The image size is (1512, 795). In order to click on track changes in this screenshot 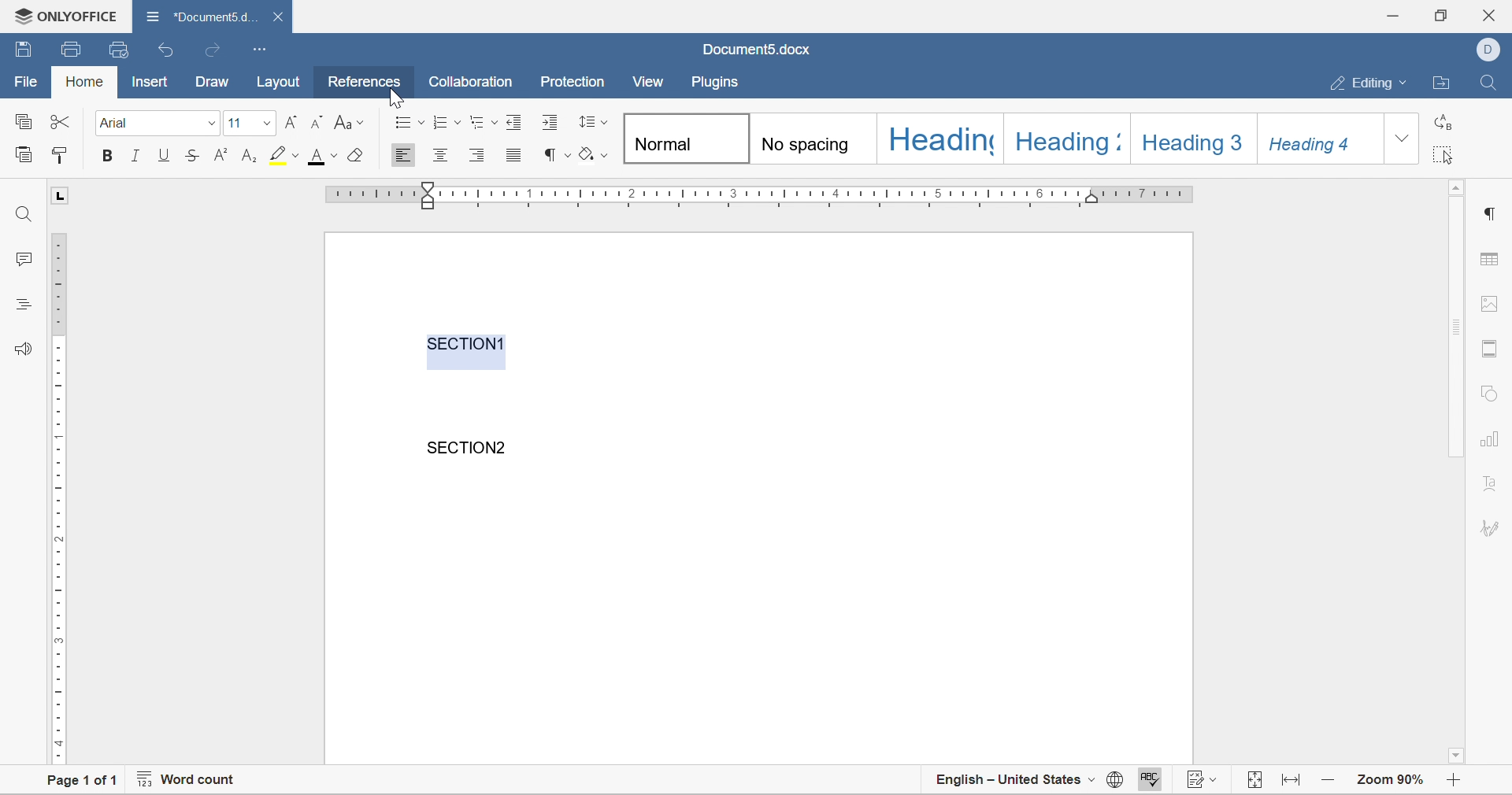, I will do `click(1205, 782)`.